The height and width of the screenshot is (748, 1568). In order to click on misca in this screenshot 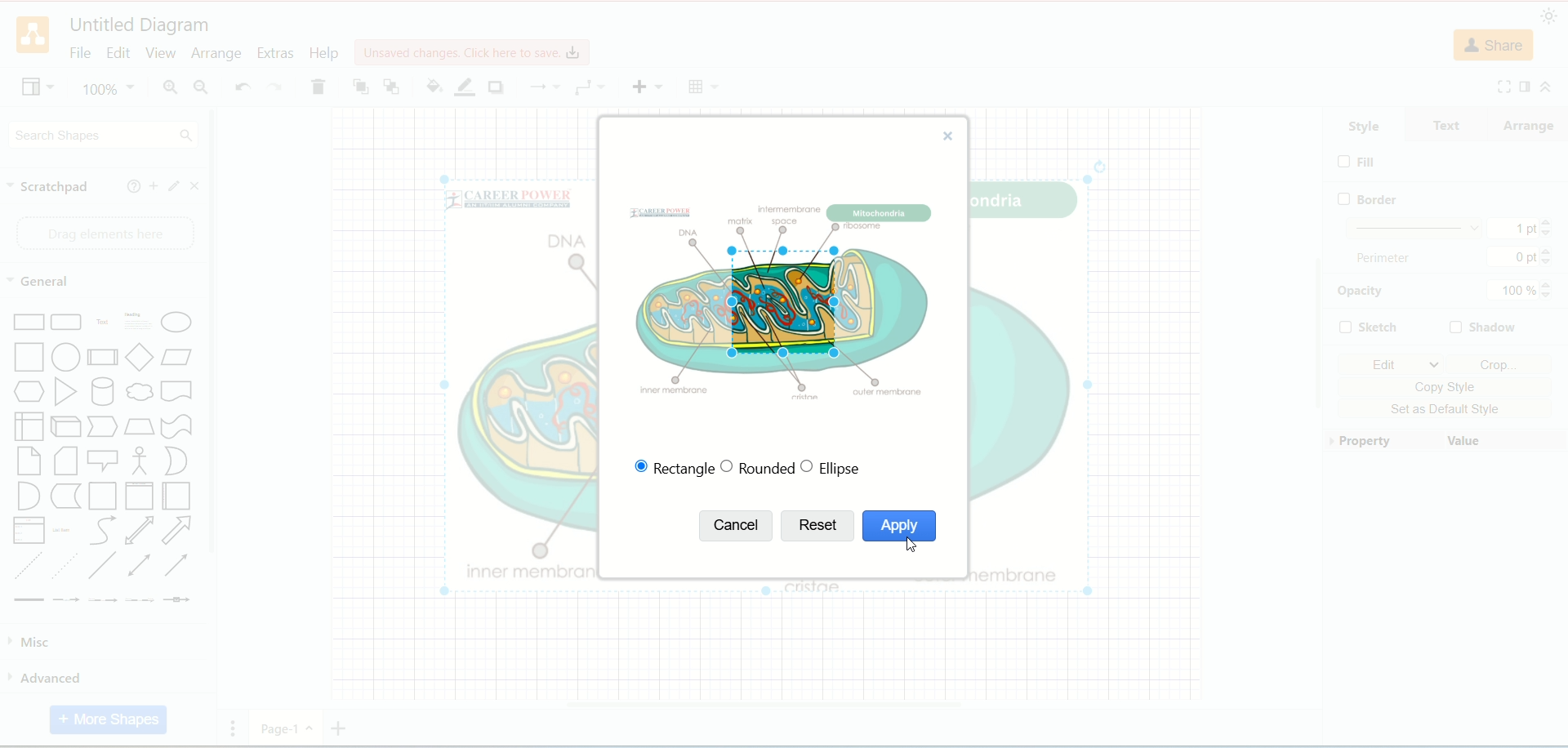, I will do `click(33, 643)`.